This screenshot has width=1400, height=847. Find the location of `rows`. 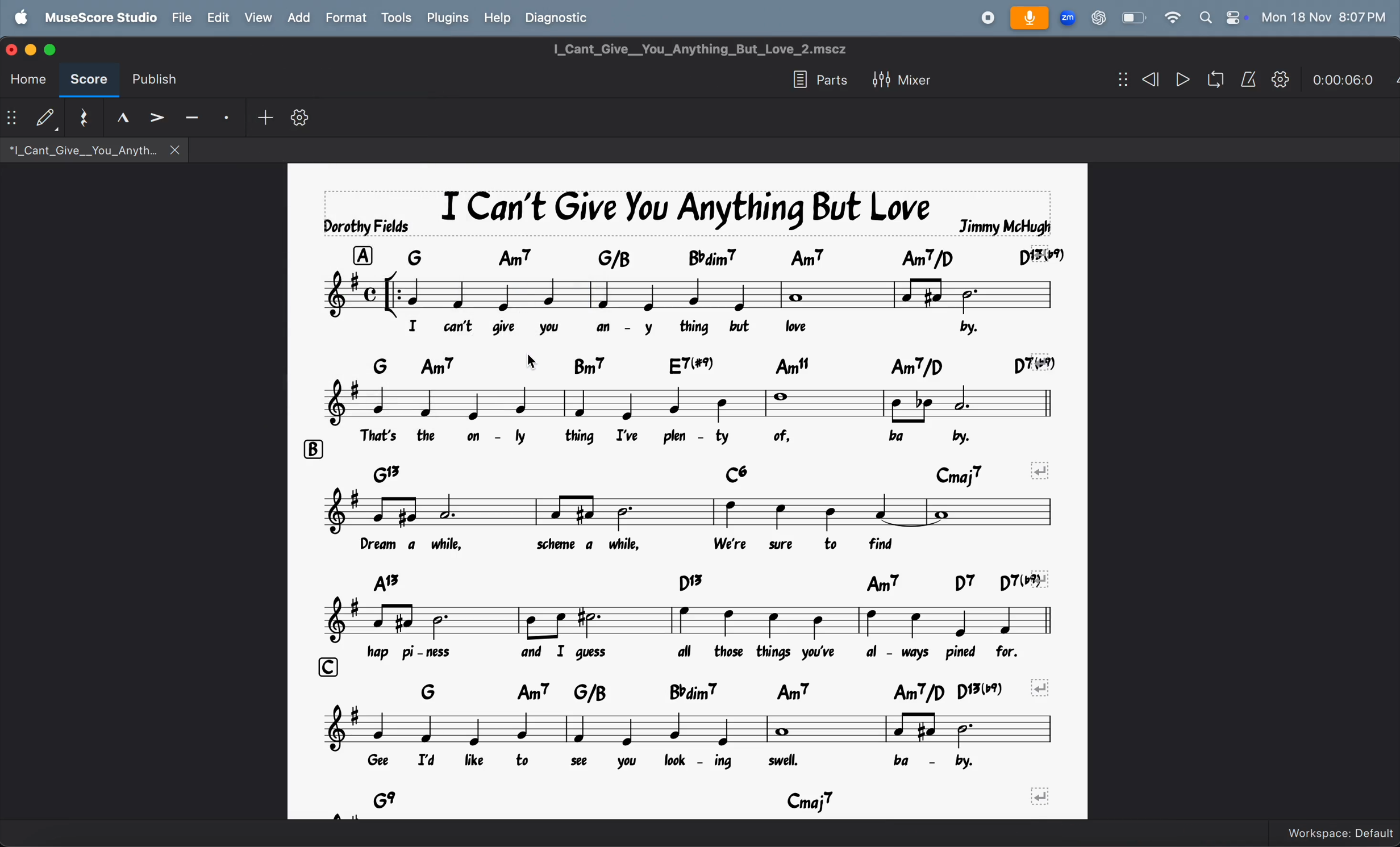

rows is located at coordinates (312, 449).